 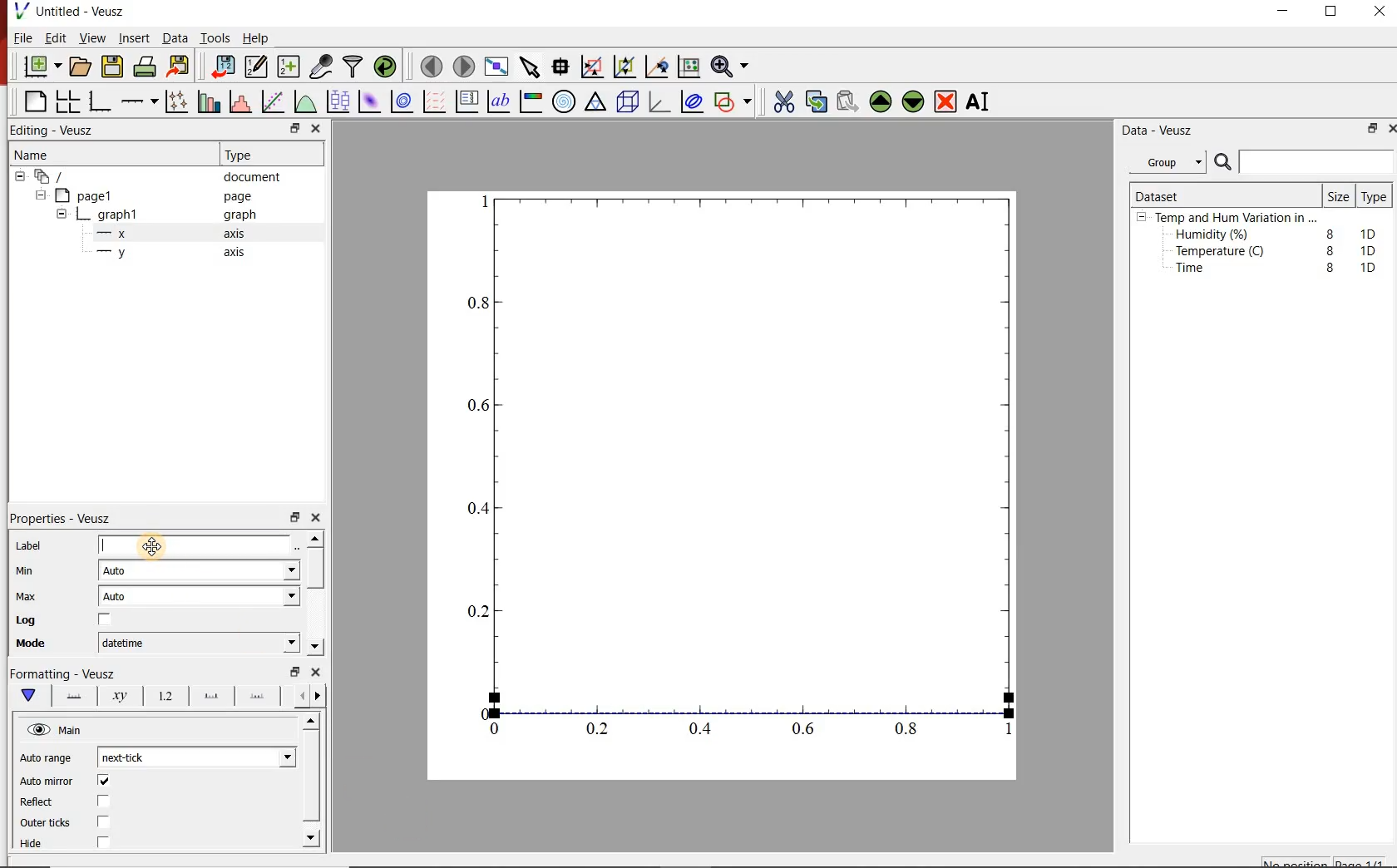 I want to click on Zoom functions menu, so click(x=729, y=66).